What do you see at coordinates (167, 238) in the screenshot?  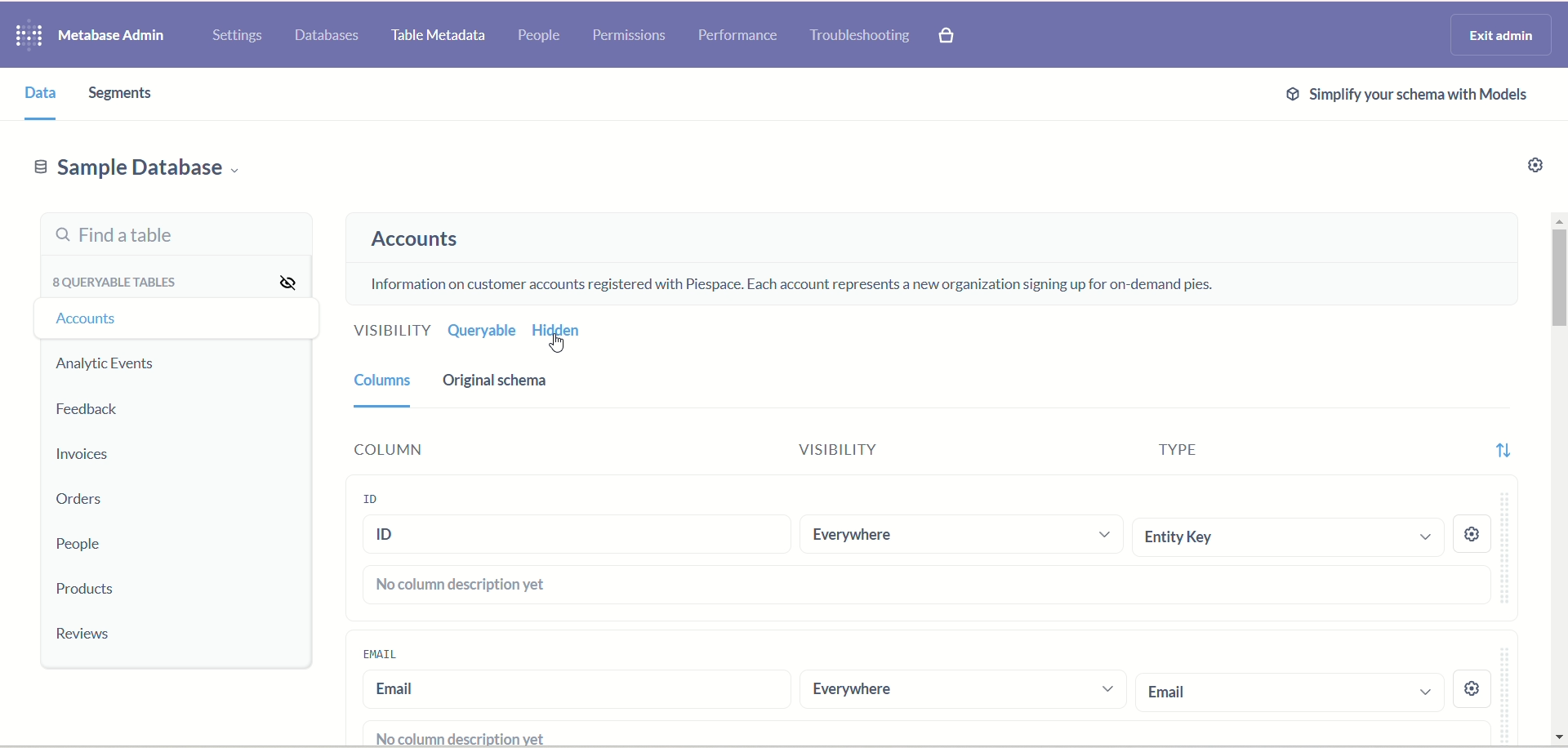 I see `find a table` at bounding box center [167, 238].